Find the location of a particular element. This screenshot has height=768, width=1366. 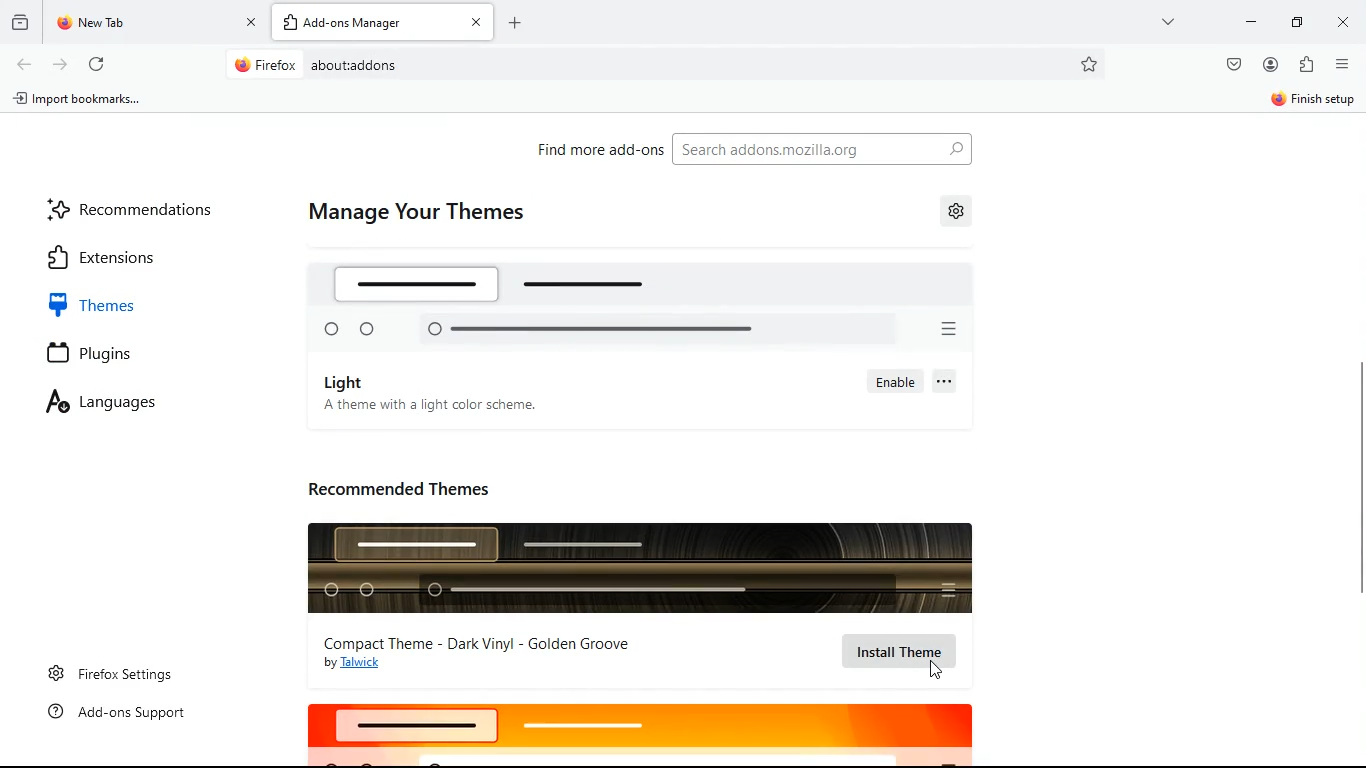

maximize is located at coordinates (1291, 22).